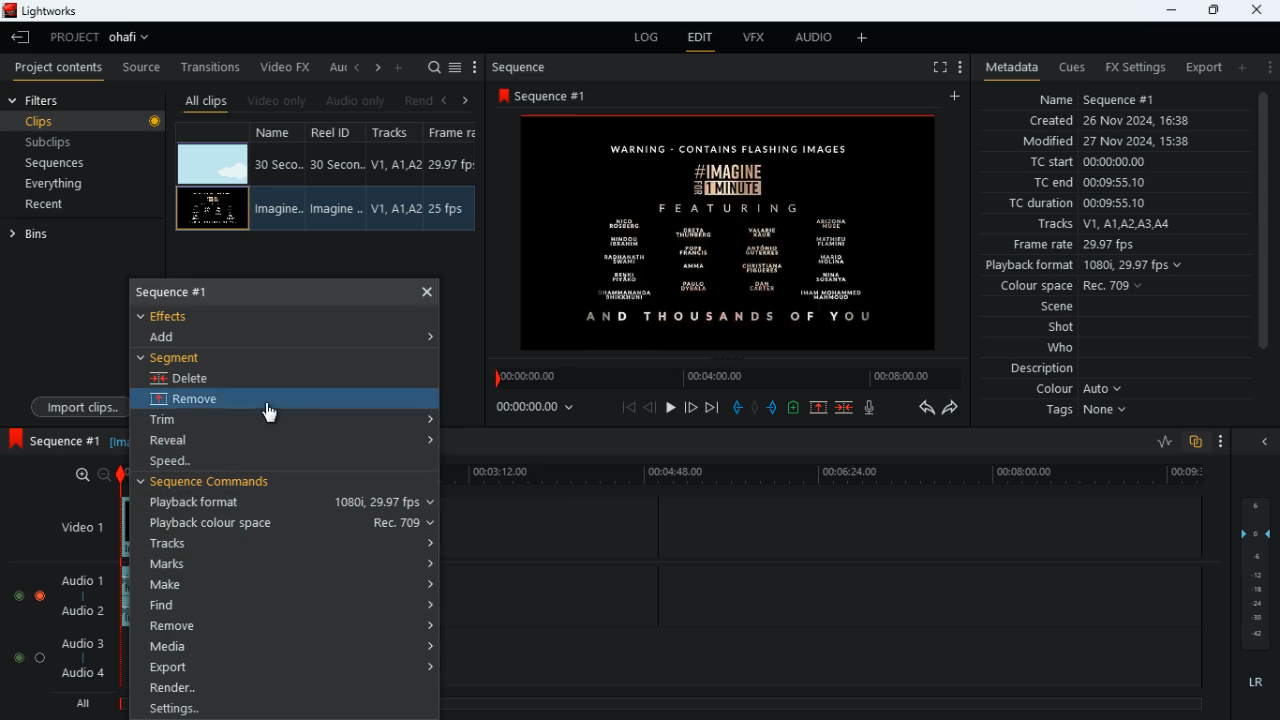 The width and height of the screenshot is (1280, 720). I want to click on trim, so click(288, 420).